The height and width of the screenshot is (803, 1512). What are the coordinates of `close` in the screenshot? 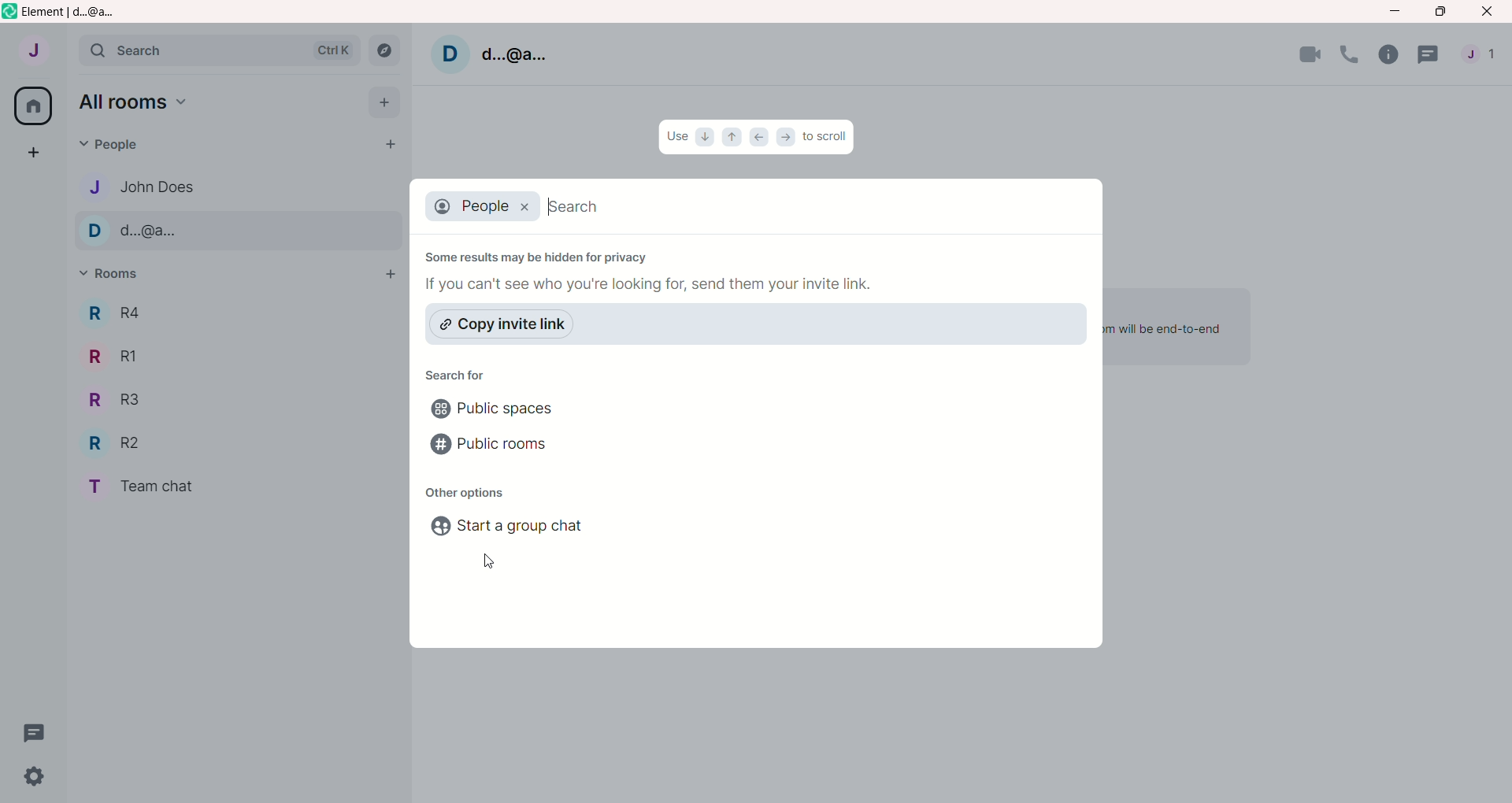 It's located at (1489, 12).